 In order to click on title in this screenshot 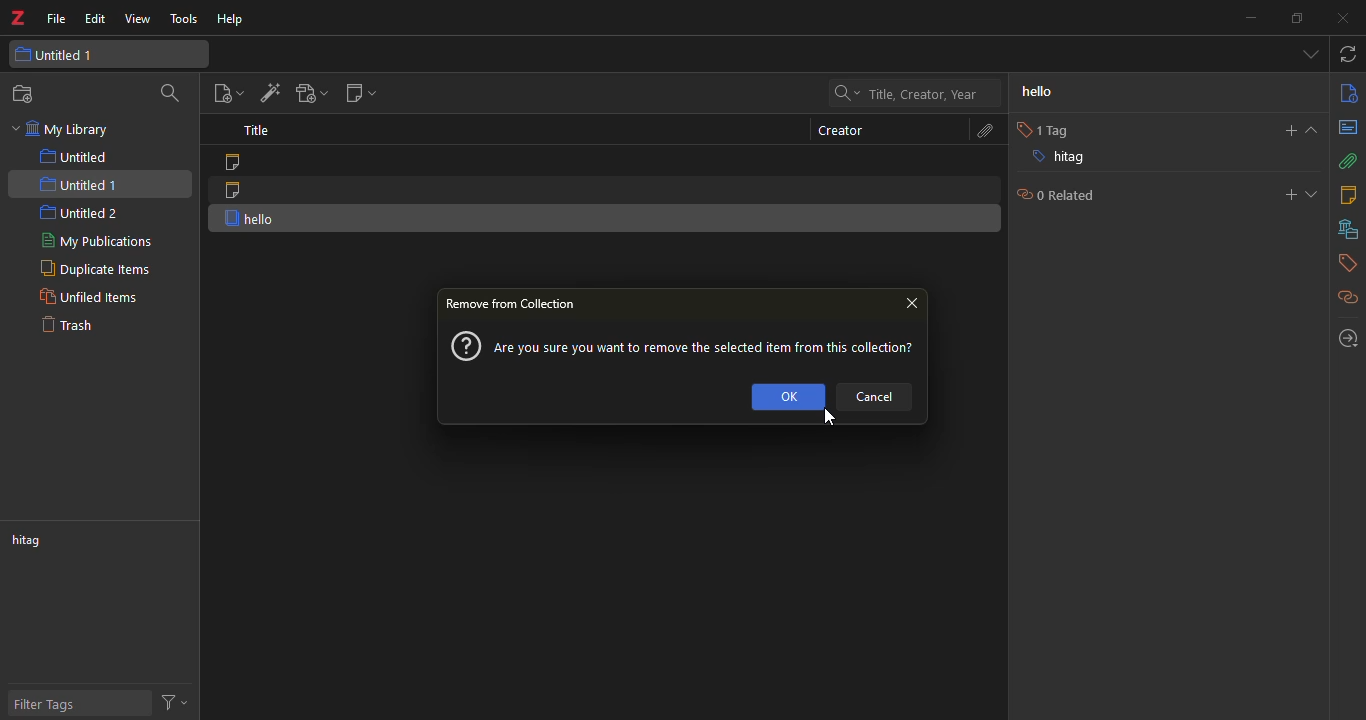, I will do `click(252, 132)`.